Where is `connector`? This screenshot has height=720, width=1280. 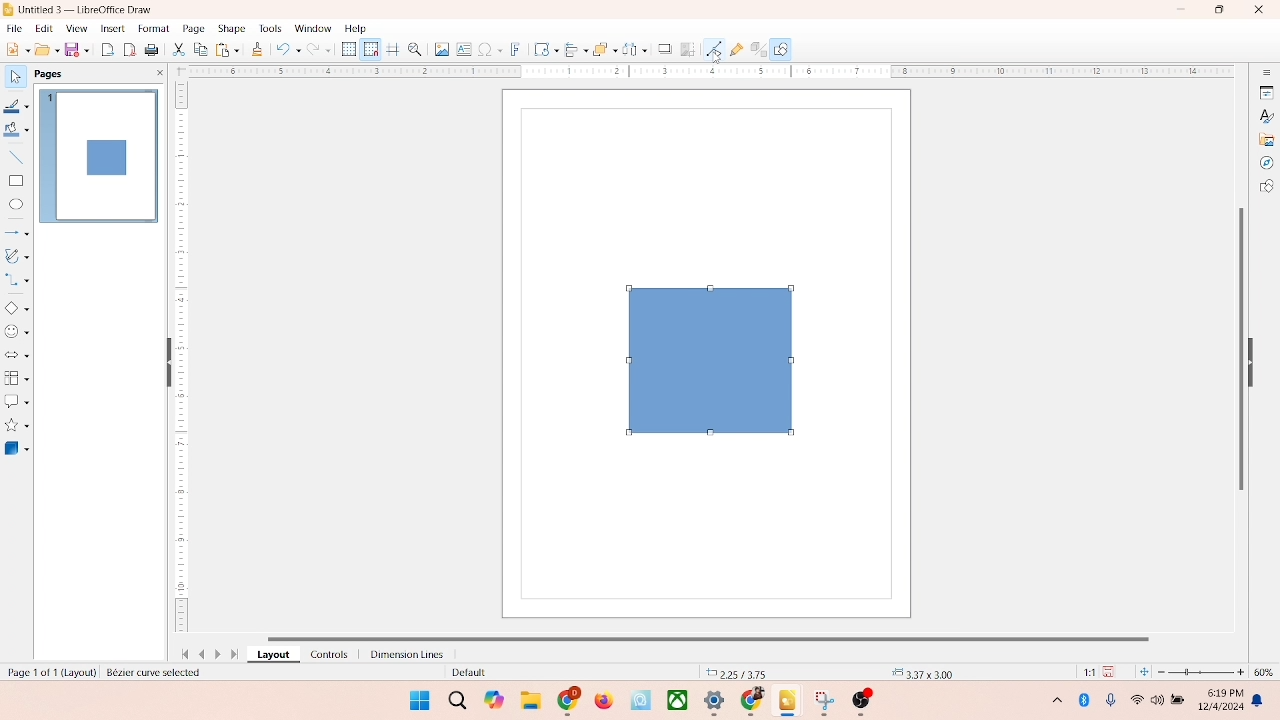
connector is located at coordinates (18, 280).